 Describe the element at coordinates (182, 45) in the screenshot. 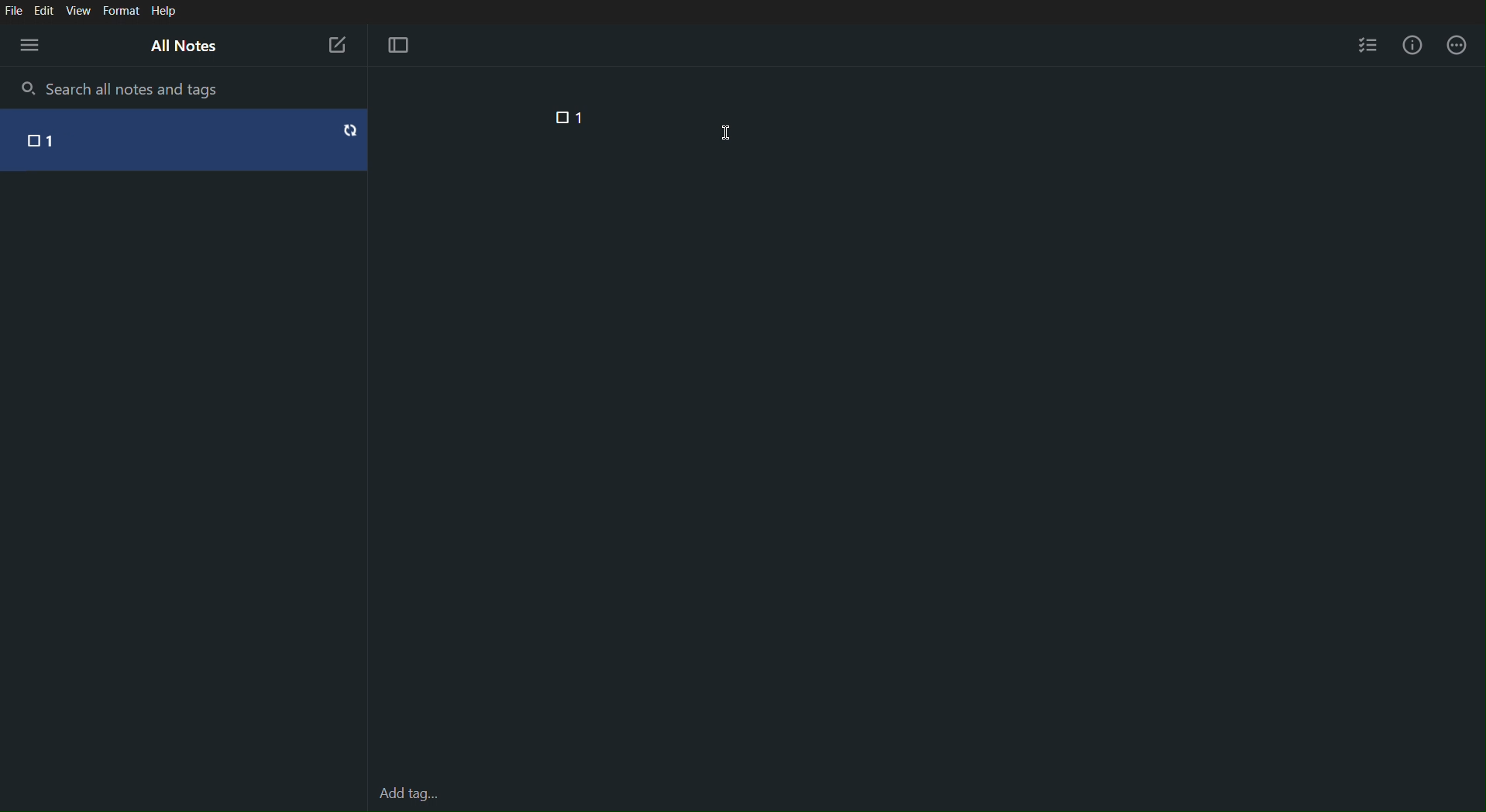

I see `All Notes` at that location.